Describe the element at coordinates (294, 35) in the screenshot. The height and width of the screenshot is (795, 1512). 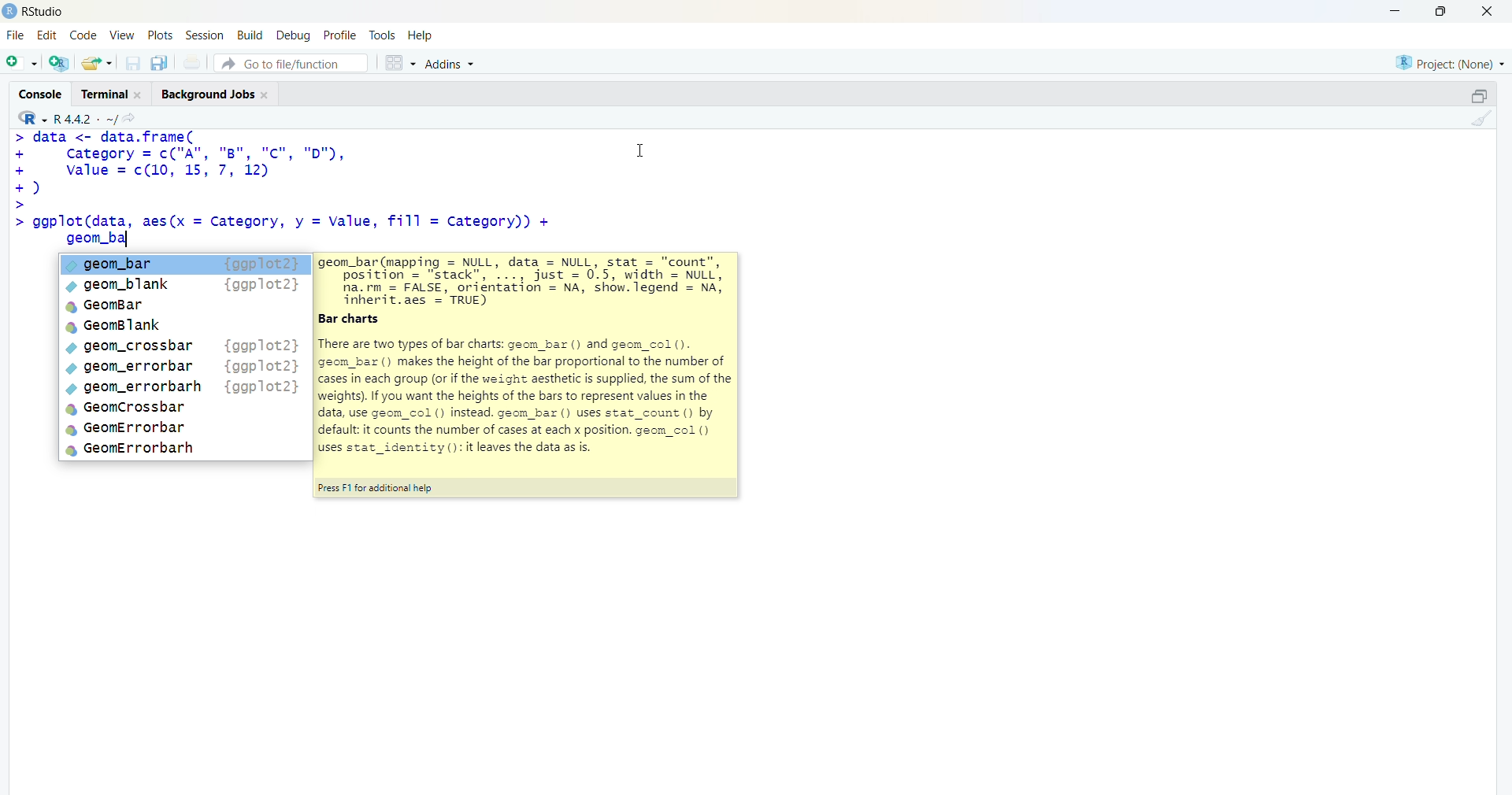
I see `debug` at that location.